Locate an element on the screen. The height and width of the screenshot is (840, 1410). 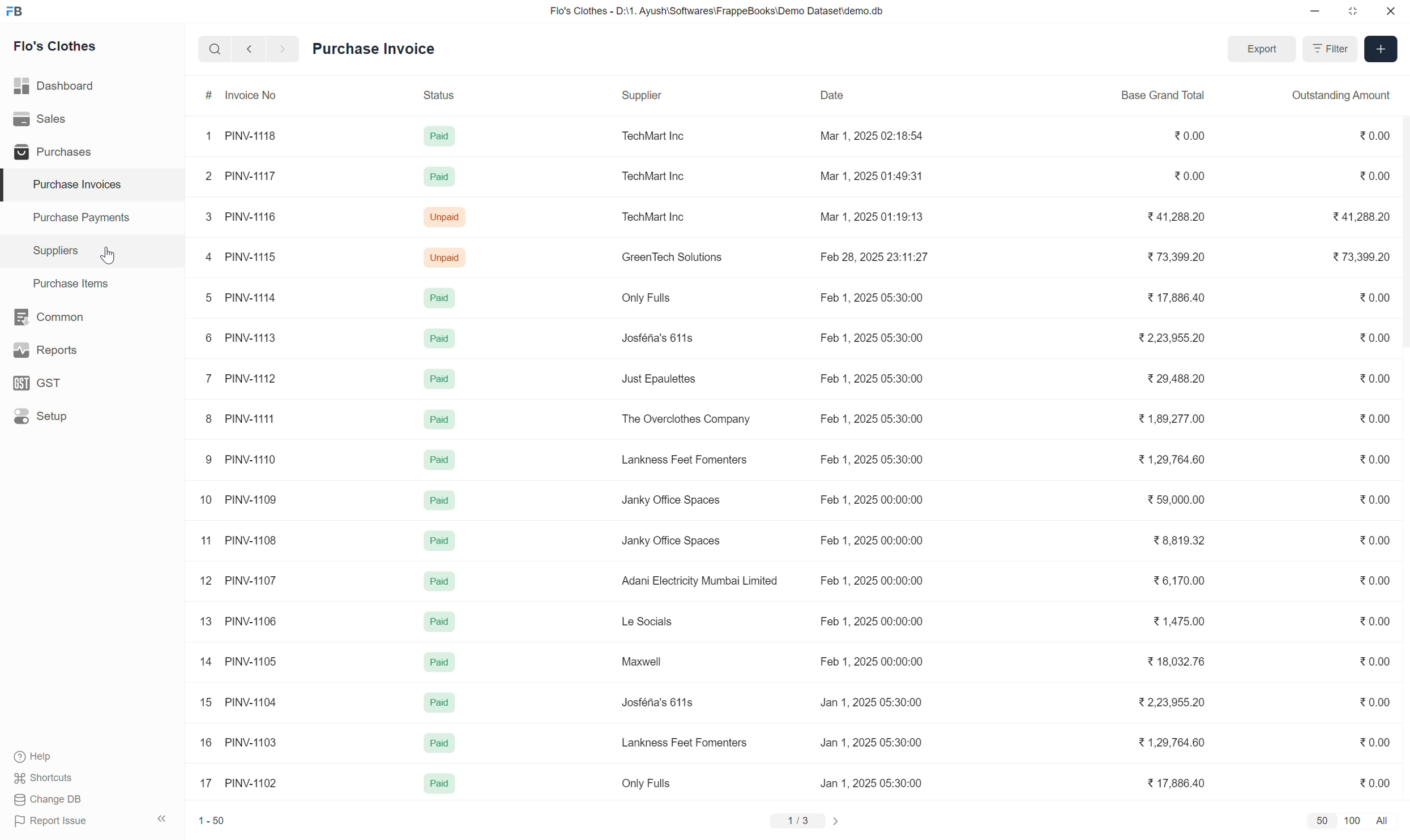
Purchase Invoice is located at coordinates (378, 46).